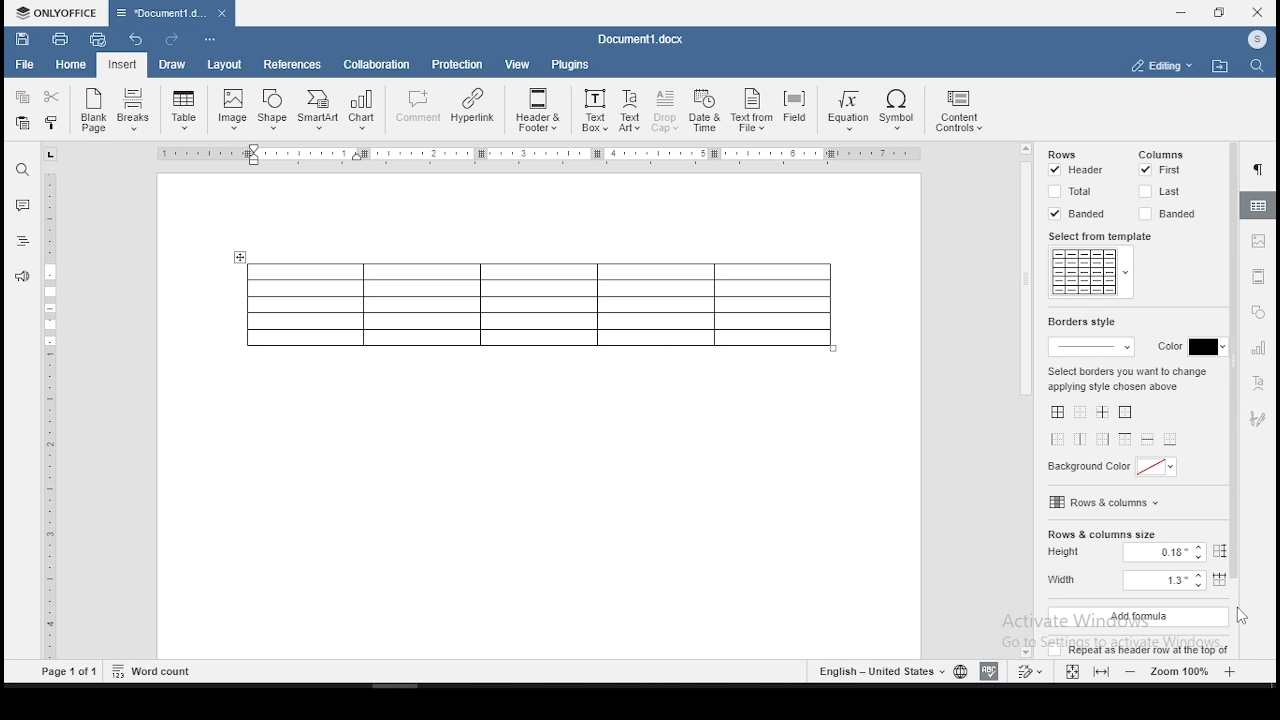 The height and width of the screenshot is (720, 1280). I want to click on TextArt, so click(629, 112).